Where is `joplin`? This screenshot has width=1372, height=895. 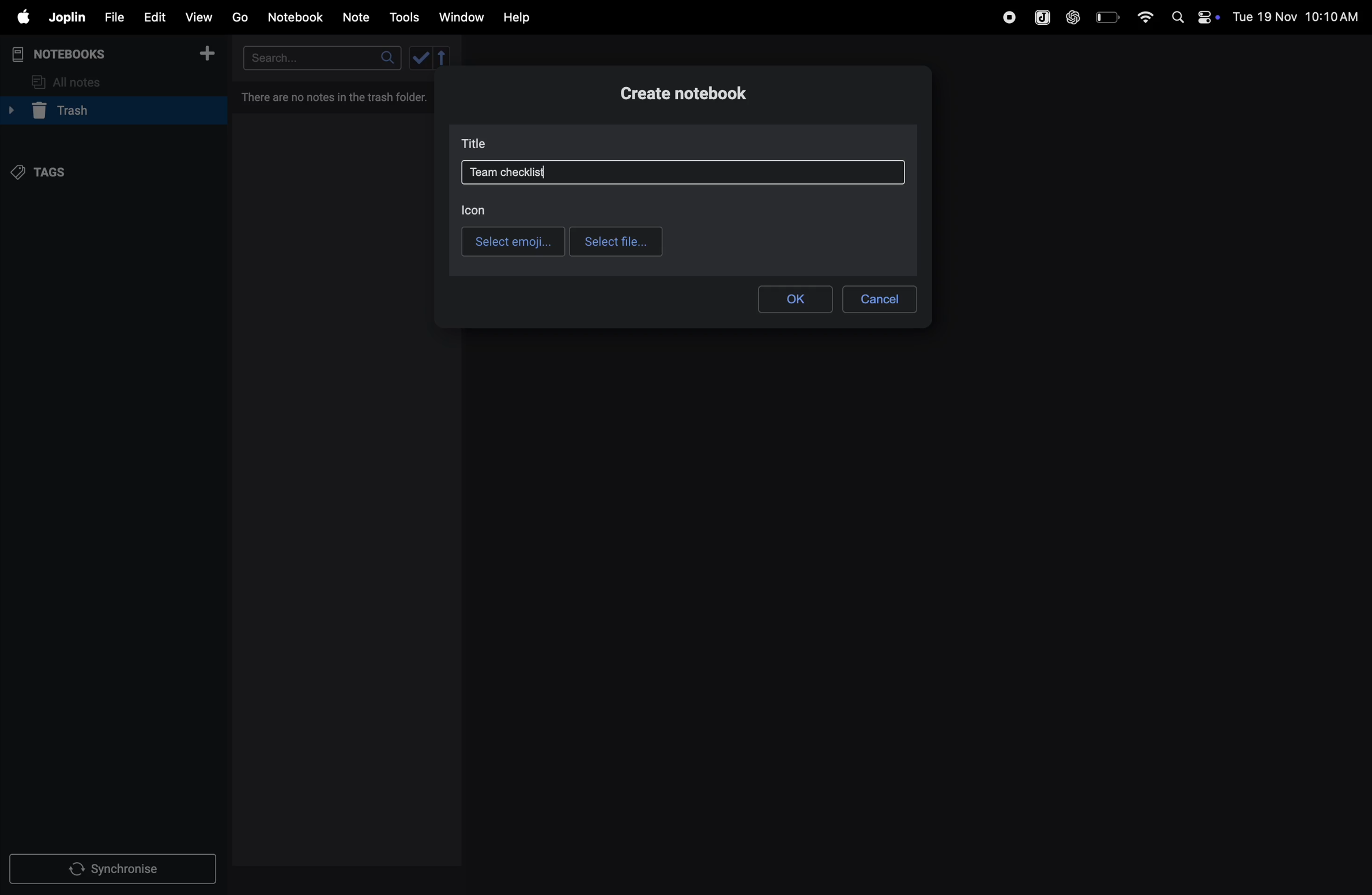 joplin is located at coordinates (68, 18).